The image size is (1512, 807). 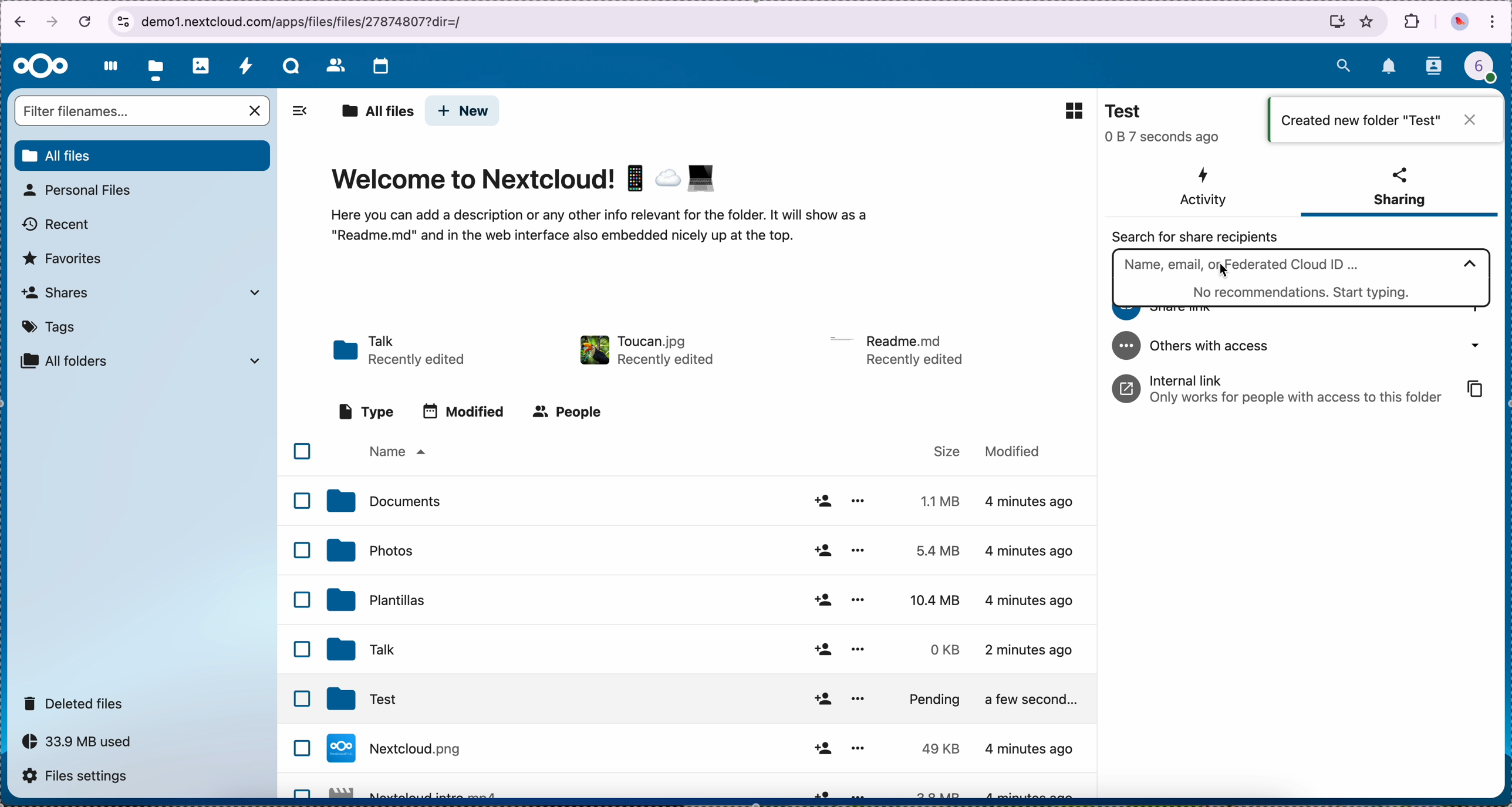 I want to click on search for share recipients, so click(x=1190, y=237).